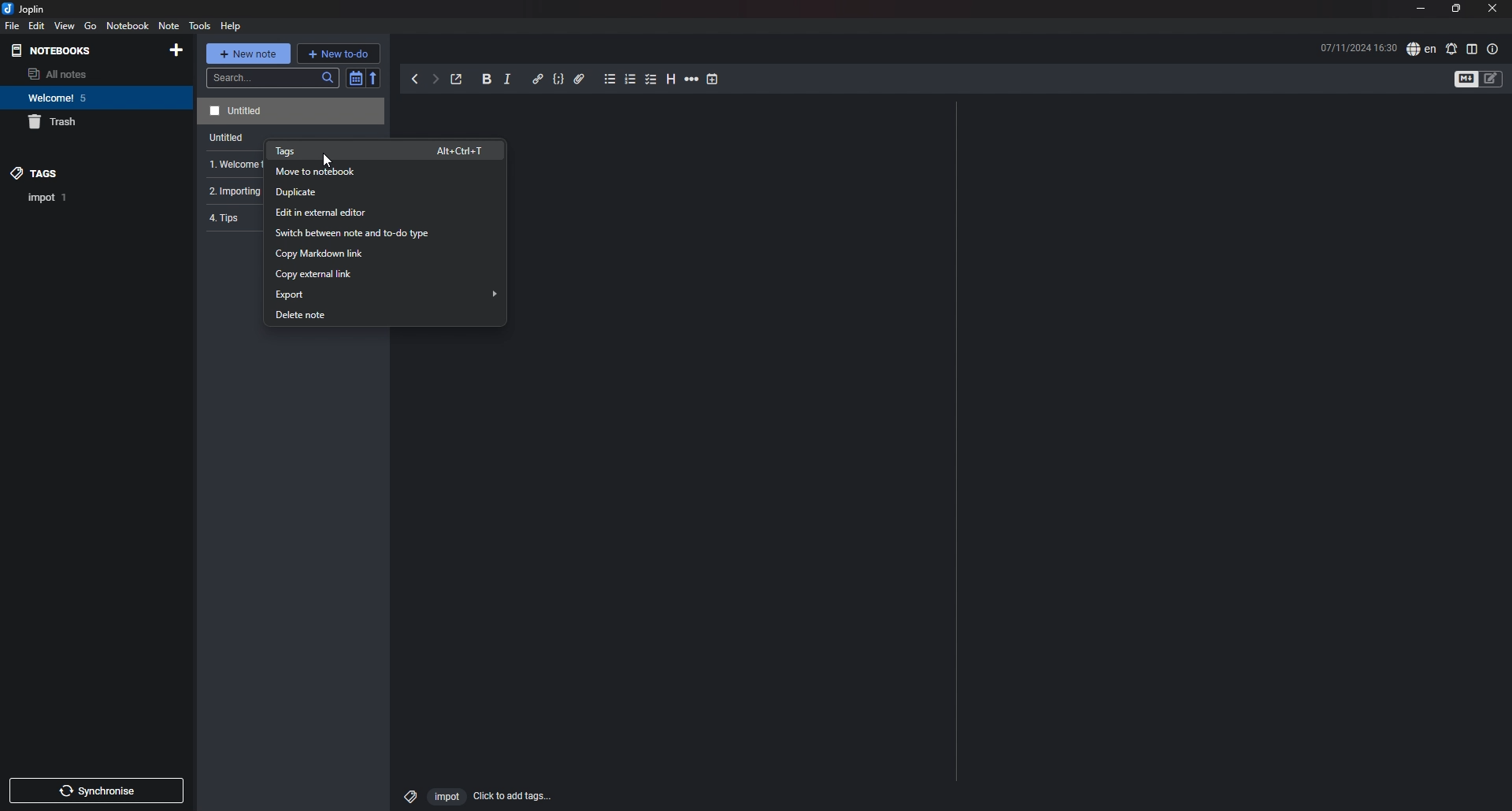  What do you see at coordinates (1492, 9) in the screenshot?
I see `close` at bounding box center [1492, 9].